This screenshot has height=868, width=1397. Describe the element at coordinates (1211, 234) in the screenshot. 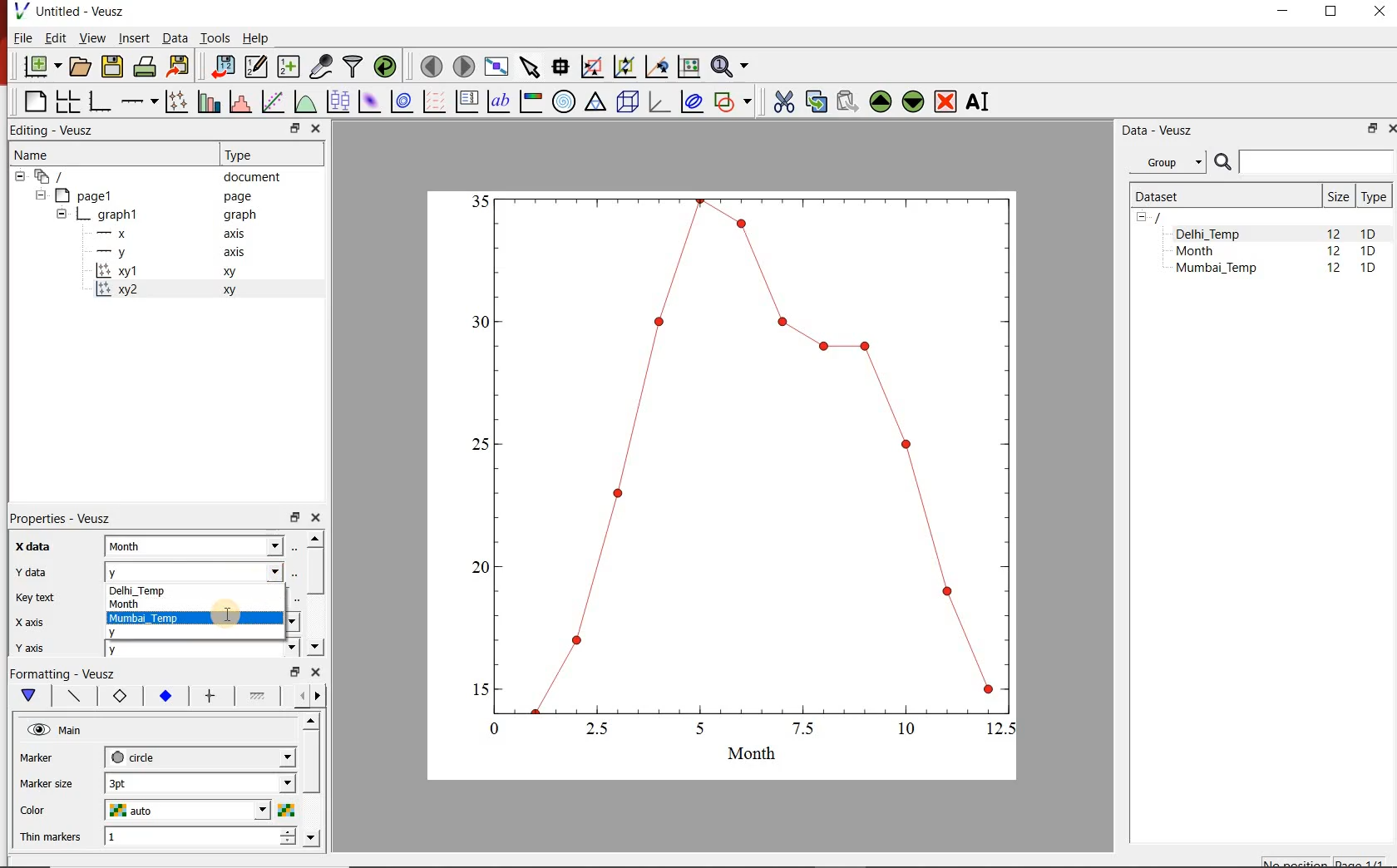

I see `Delhi_Temp` at that location.